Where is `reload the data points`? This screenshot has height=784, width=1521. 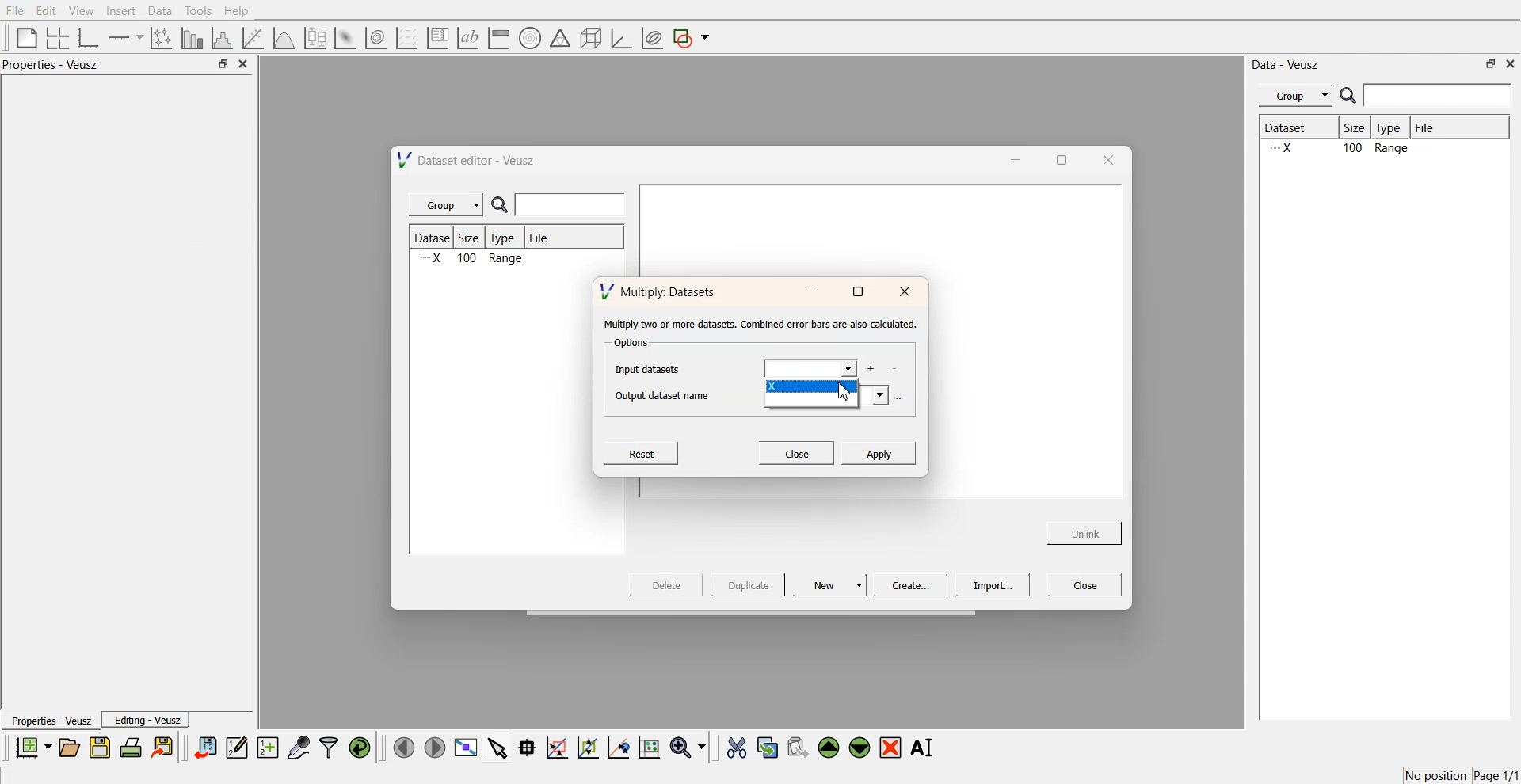 reload the data points is located at coordinates (360, 748).